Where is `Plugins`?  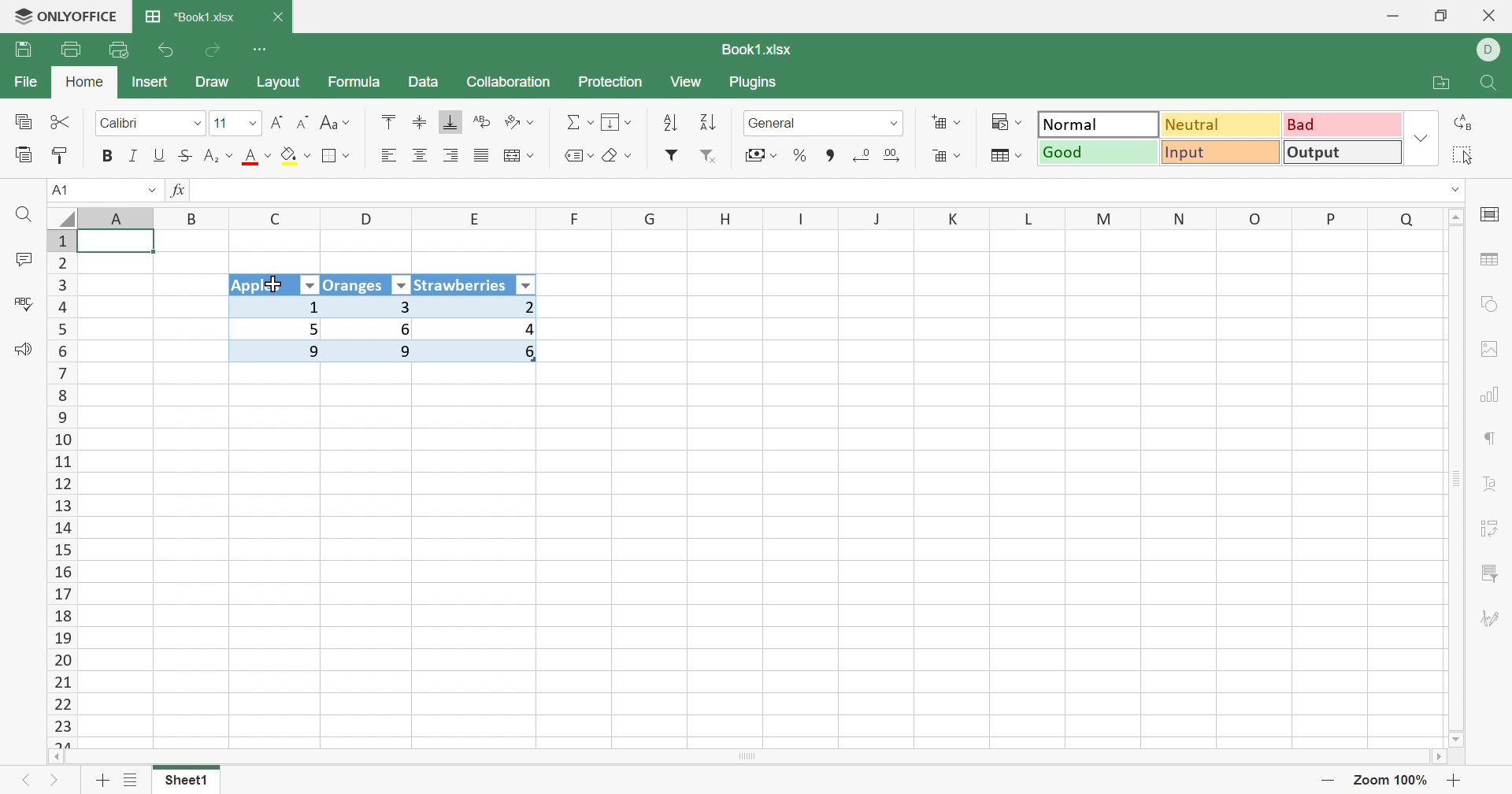
Plugins is located at coordinates (757, 84).